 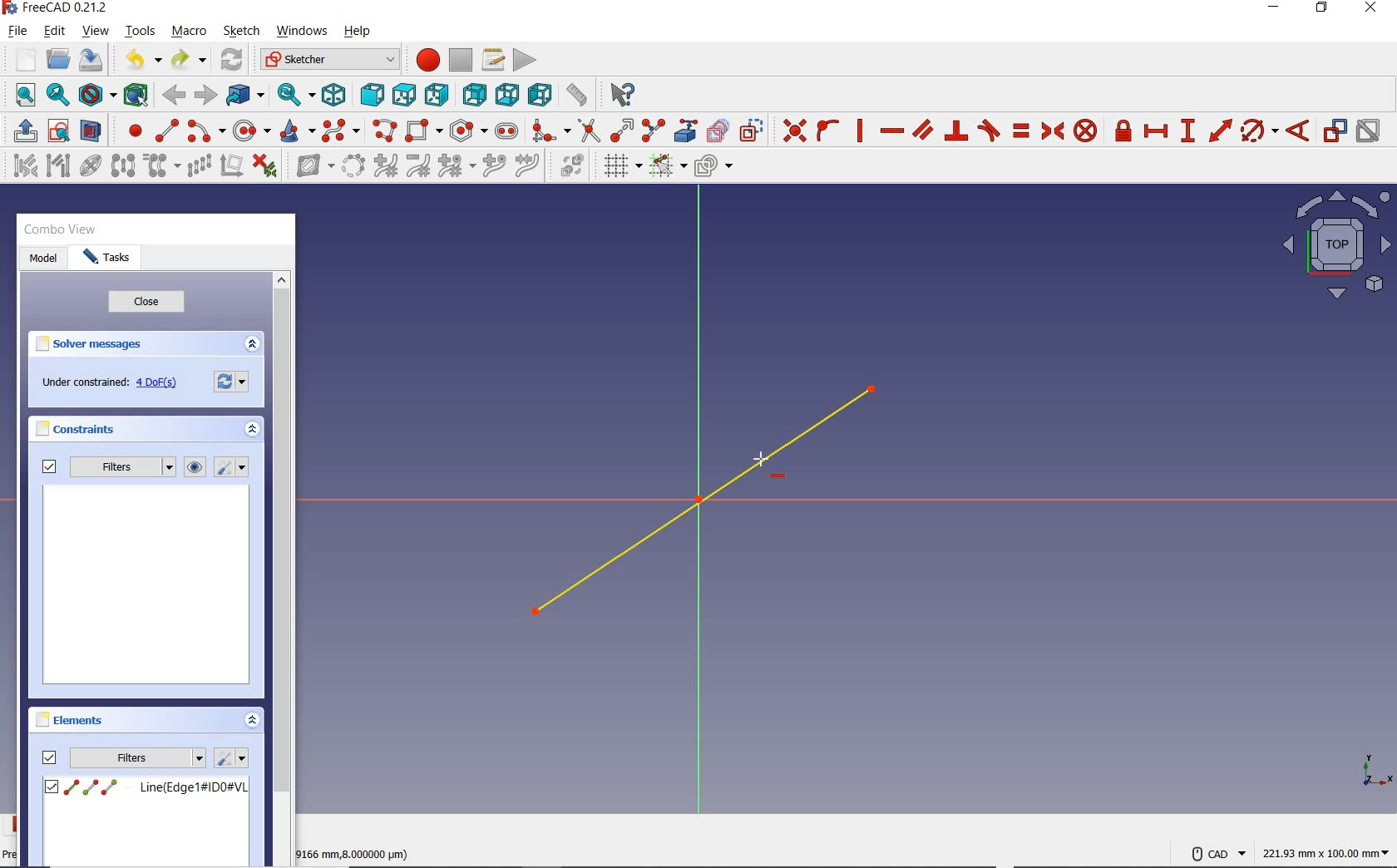 What do you see at coordinates (297, 96) in the screenshot?
I see `SYNC VIEW` at bounding box center [297, 96].